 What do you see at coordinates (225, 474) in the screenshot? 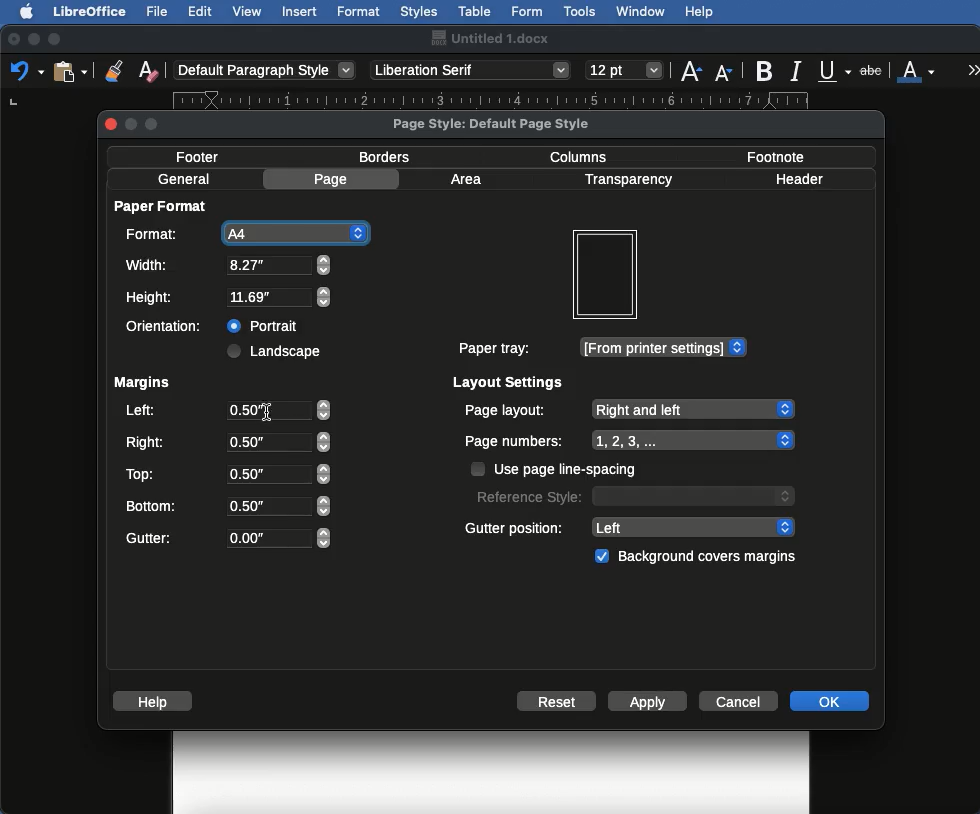
I see `Top` at bounding box center [225, 474].